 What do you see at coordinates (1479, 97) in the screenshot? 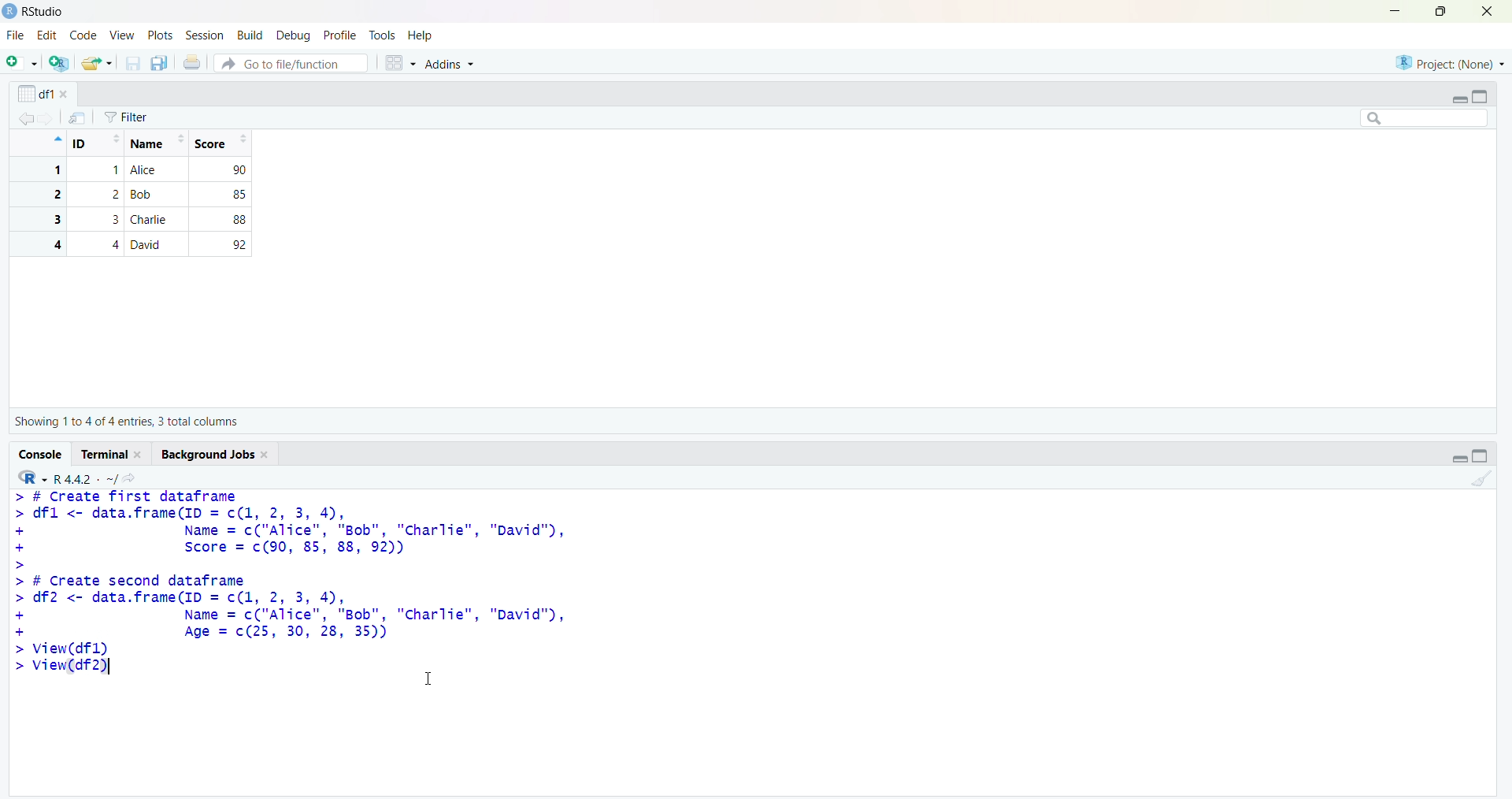
I see `toggle full view` at bounding box center [1479, 97].